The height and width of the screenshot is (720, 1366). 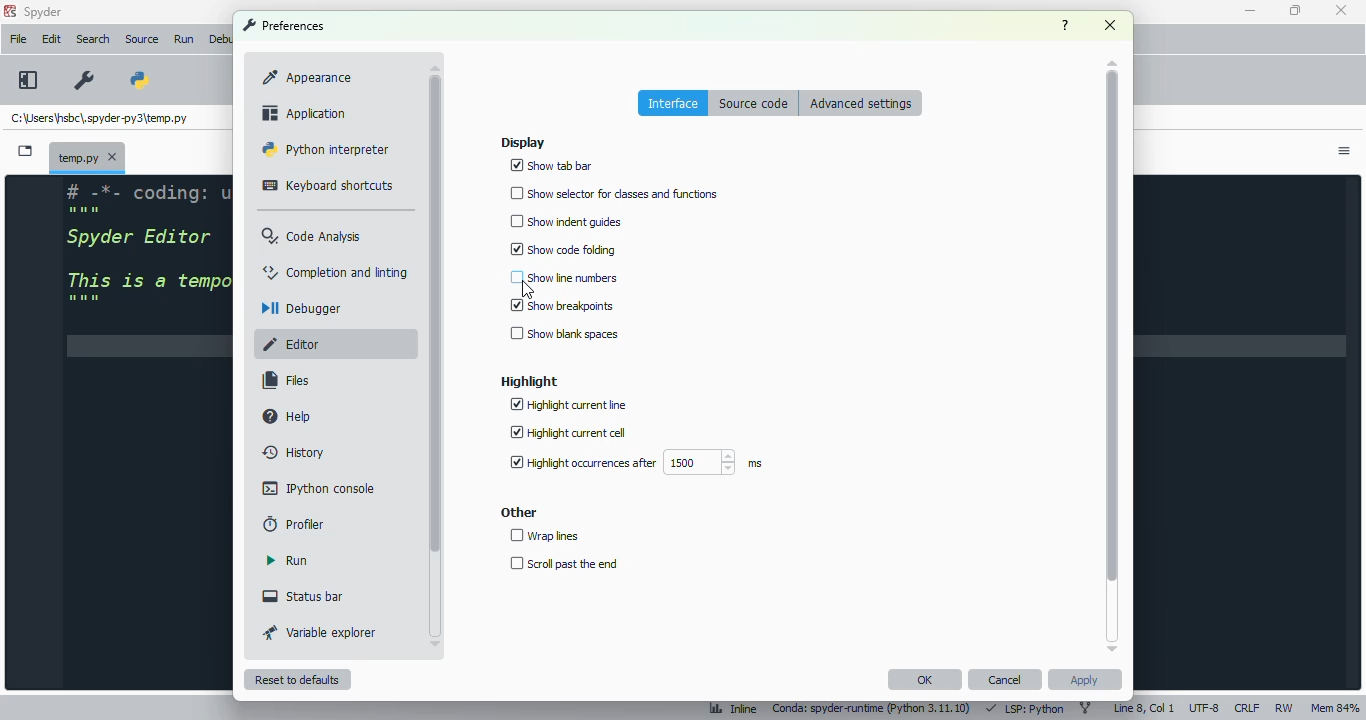 What do you see at coordinates (1252, 11) in the screenshot?
I see `minimize` at bounding box center [1252, 11].